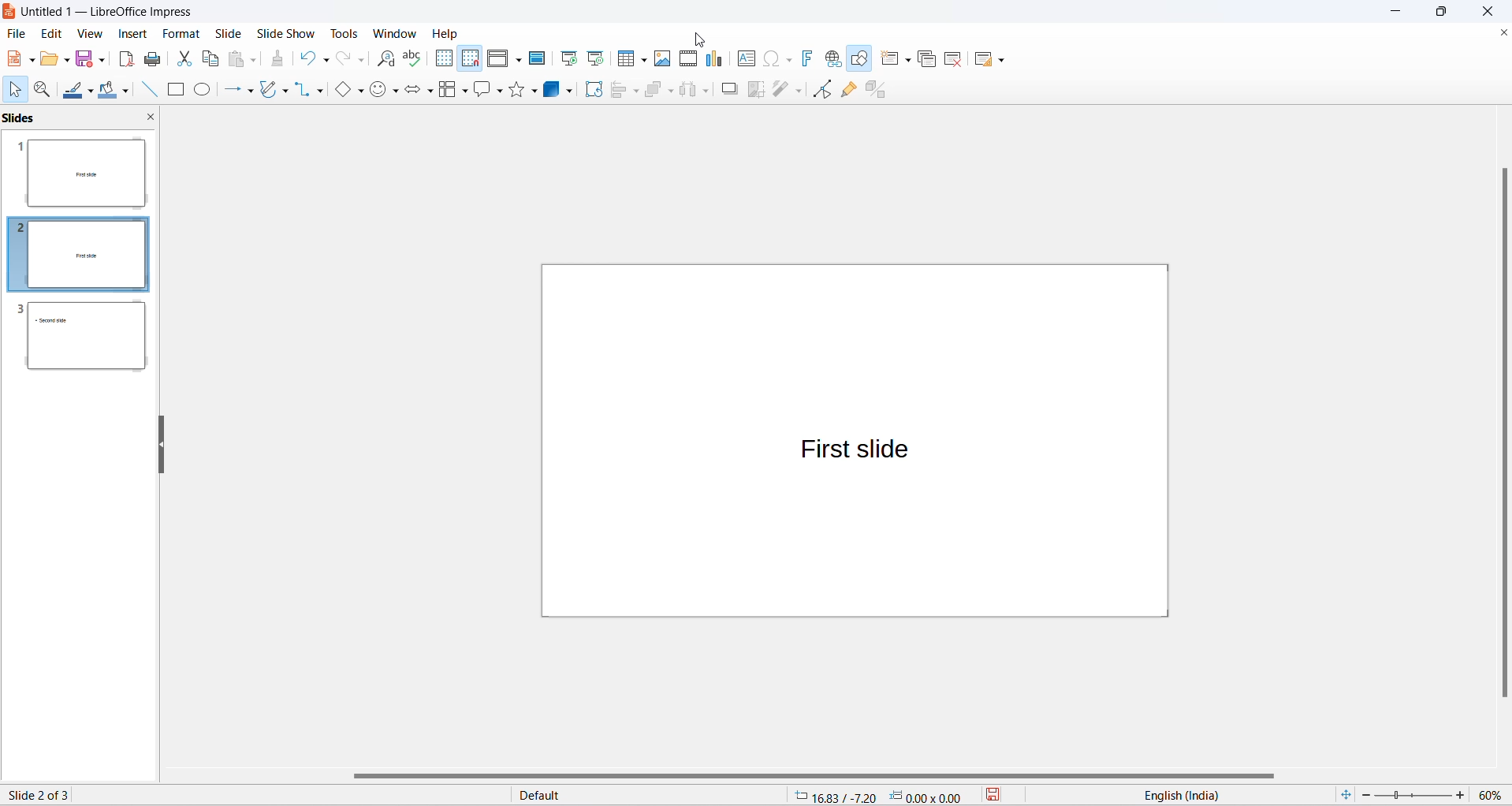  Describe the element at coordinates (20, 33) in the screenshot. I see `file` at that location.